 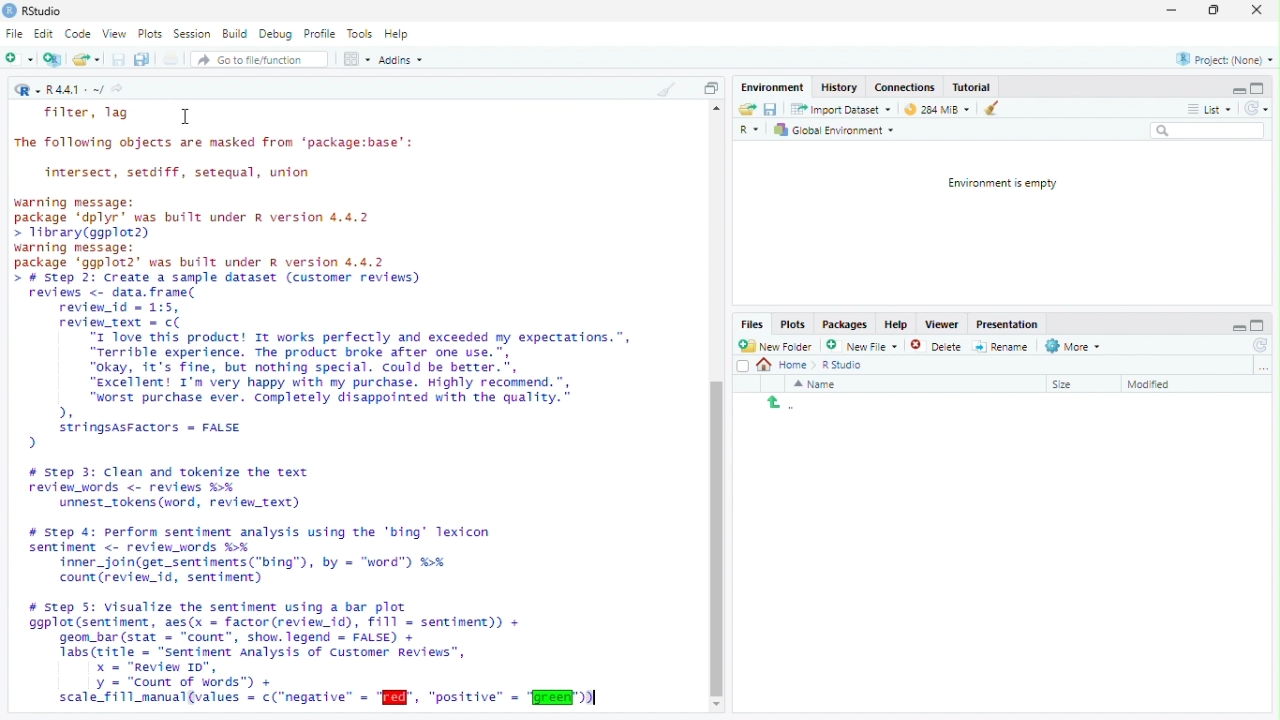 What do you see at coordinates (89, 113) in the screenshot?
I see `Filter, lag` at bounding box center [89, 113].